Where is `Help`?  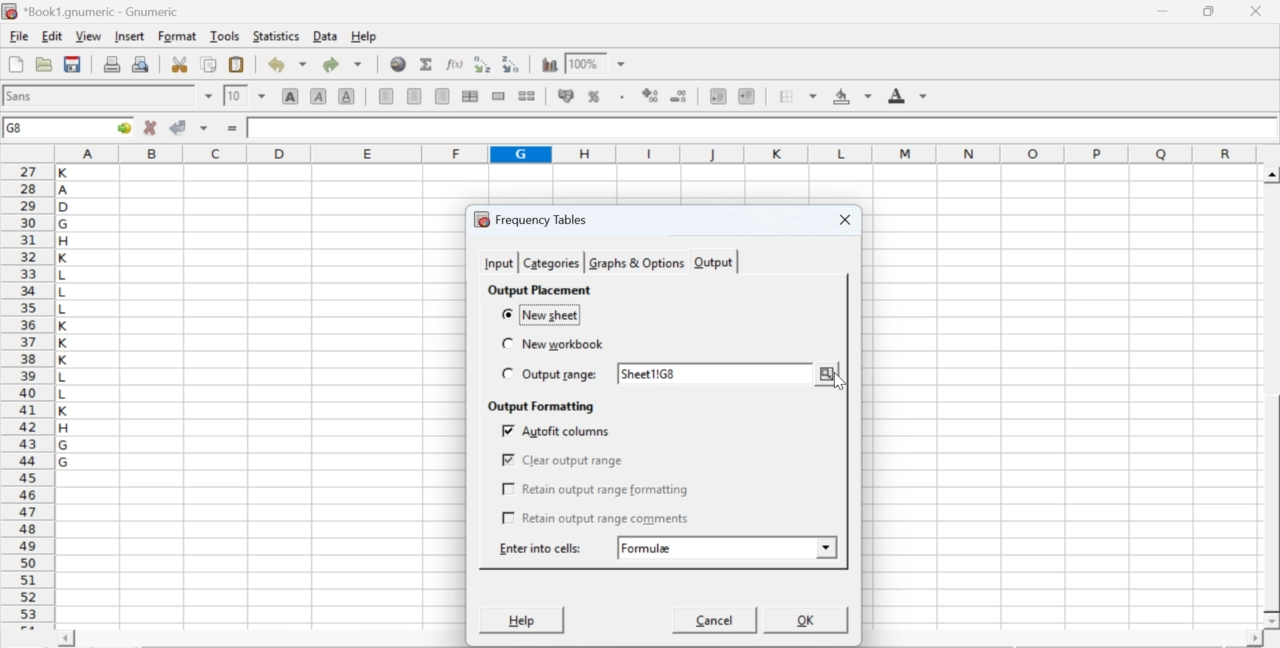
Help is located at coordinates (520, 620).